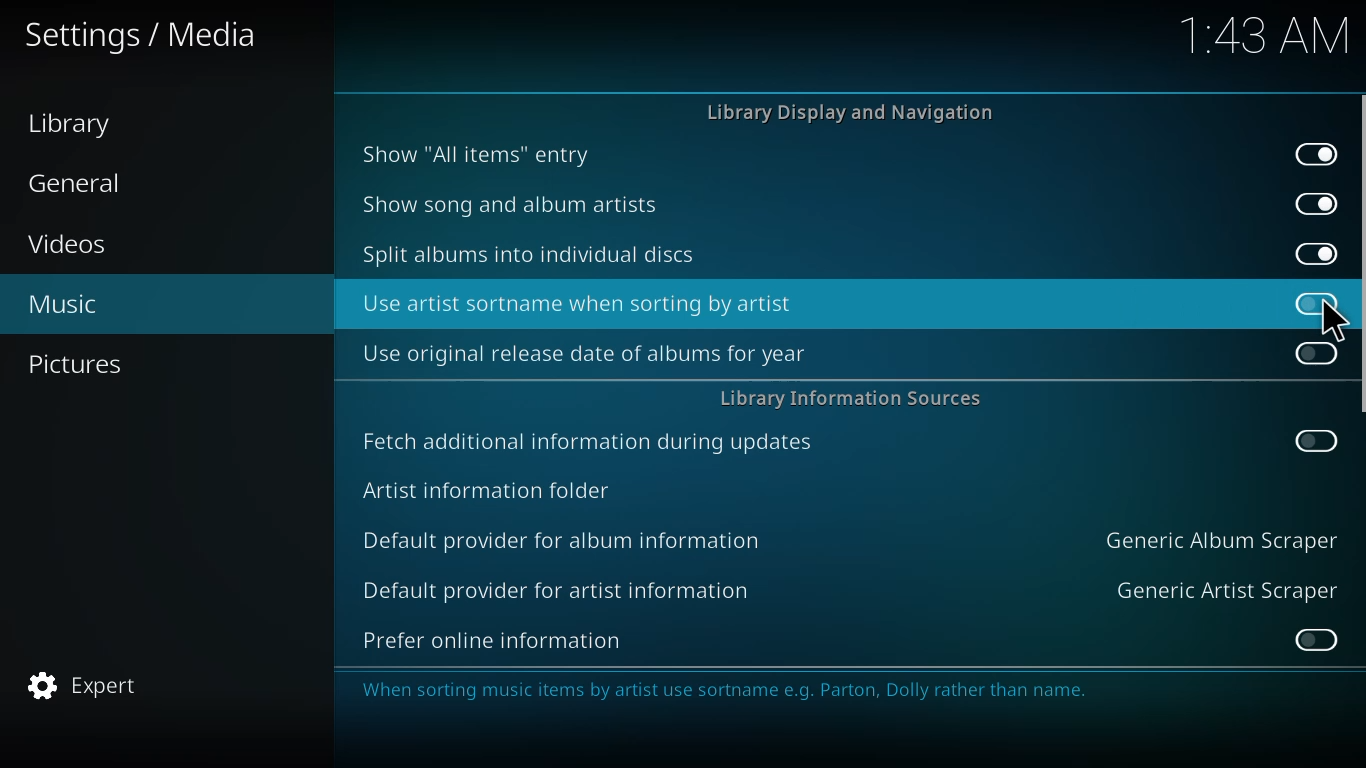 This screenshot has height=768, width=1366. What do you see at coordinates (487, 489) in the screenshot?
I see `artist info folder` at bounding box center [487, 489].